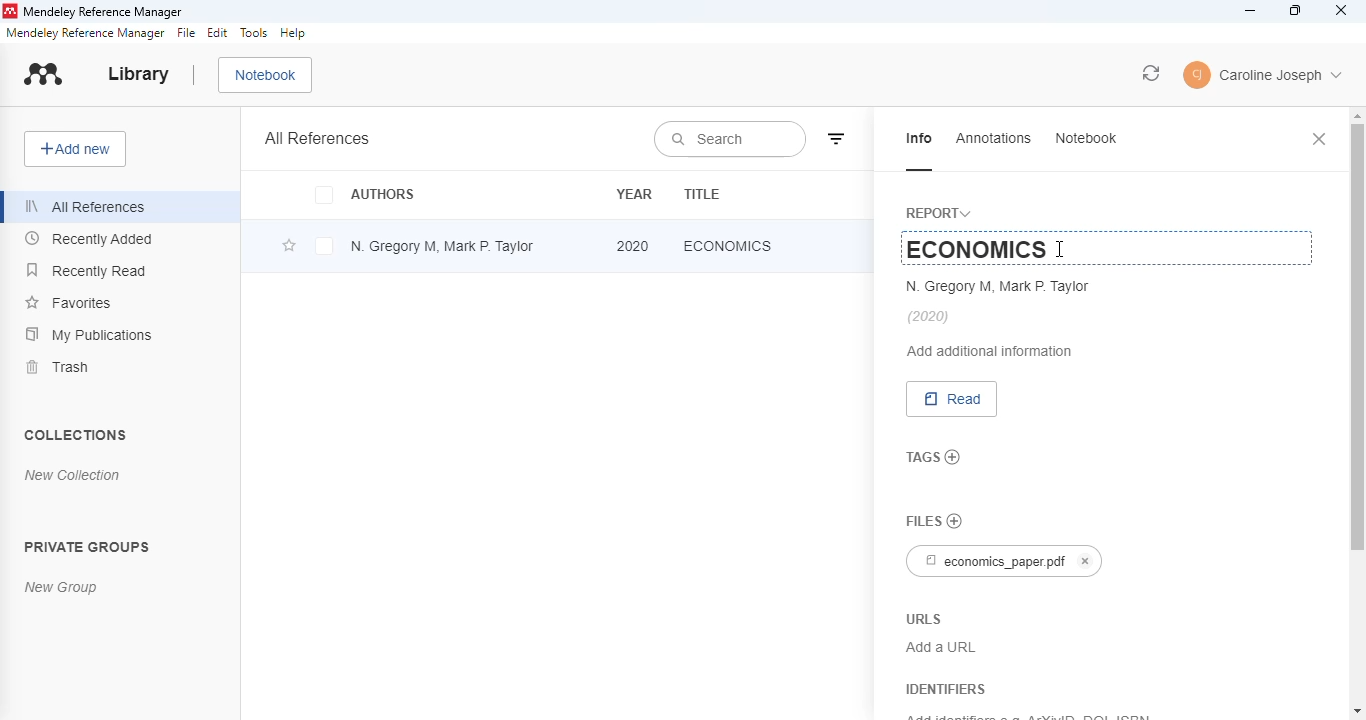  I want to click on no files chosen, so click(955, 521).